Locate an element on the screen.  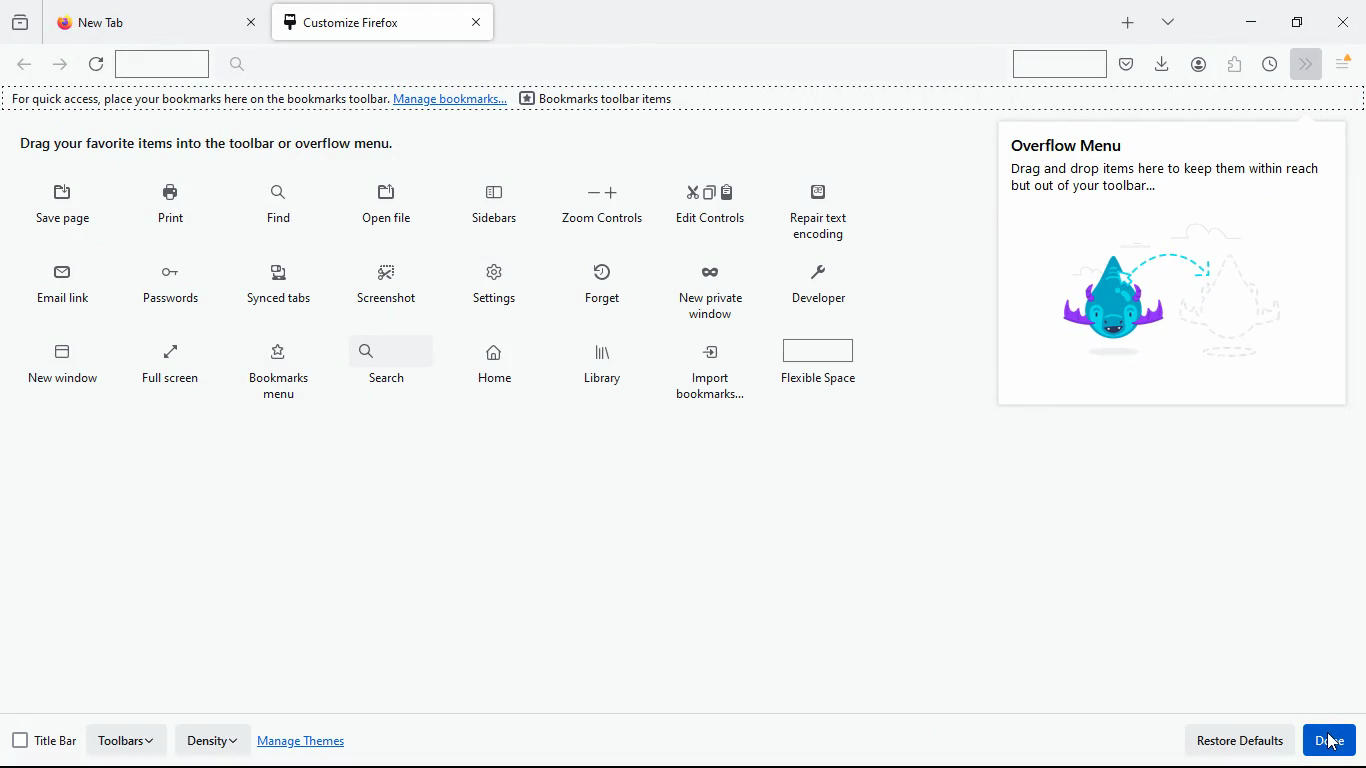
toolbars is located at coordinates (129, 739).